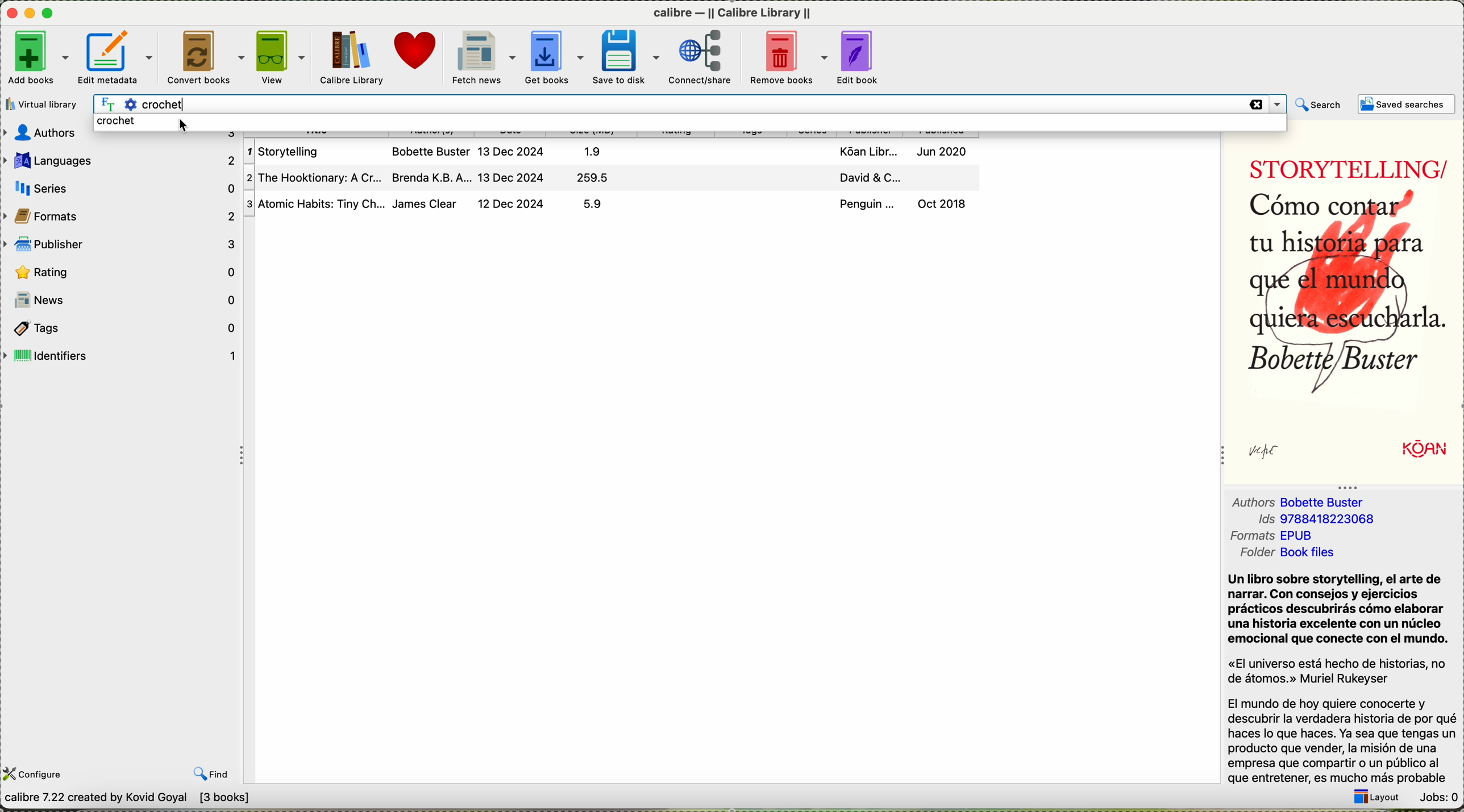  I want to click on click on crochet, so click(149, 123).